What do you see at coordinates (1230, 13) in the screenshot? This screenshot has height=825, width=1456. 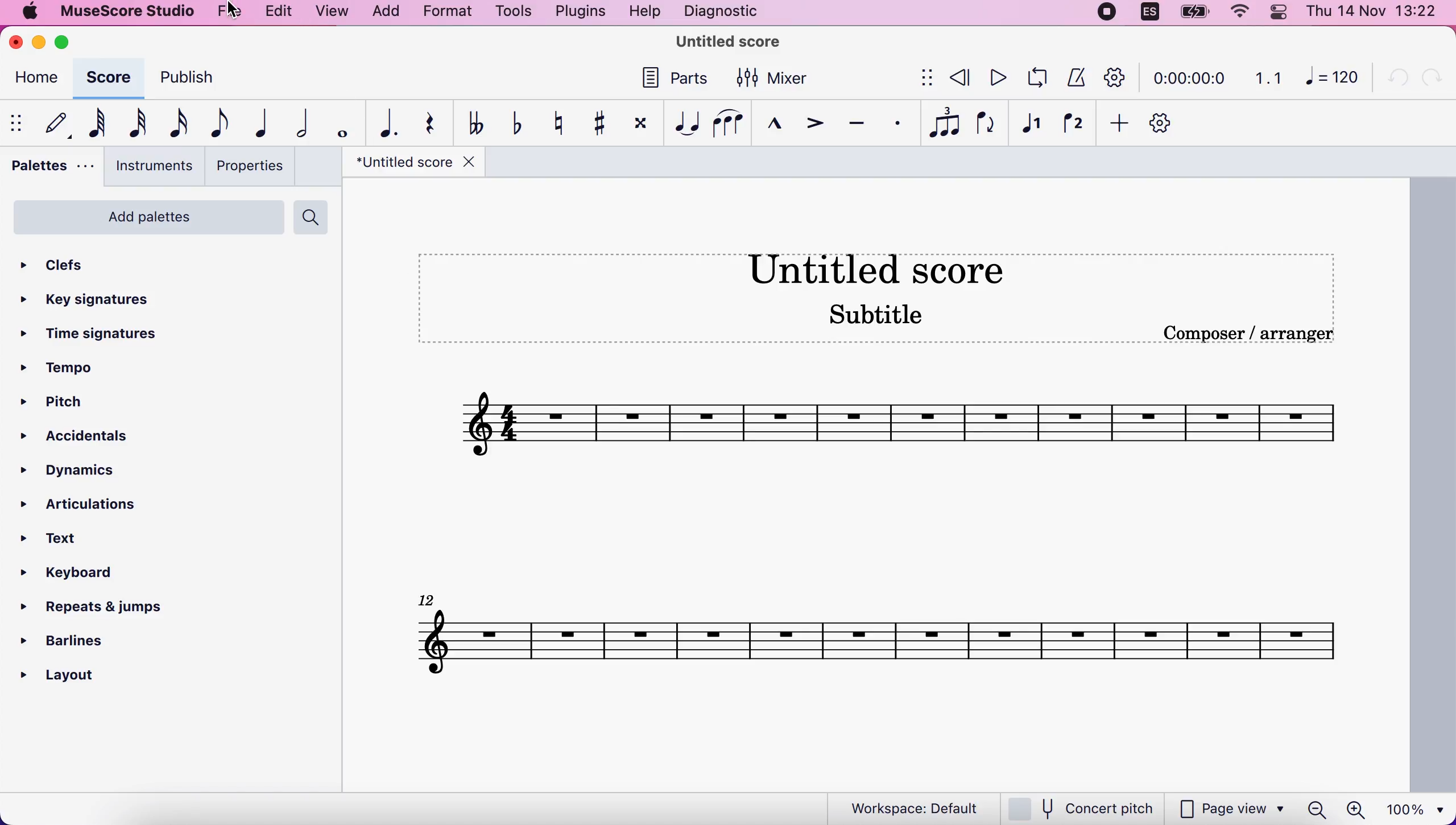 I see `wifi` at bounding box center [1230, 13].